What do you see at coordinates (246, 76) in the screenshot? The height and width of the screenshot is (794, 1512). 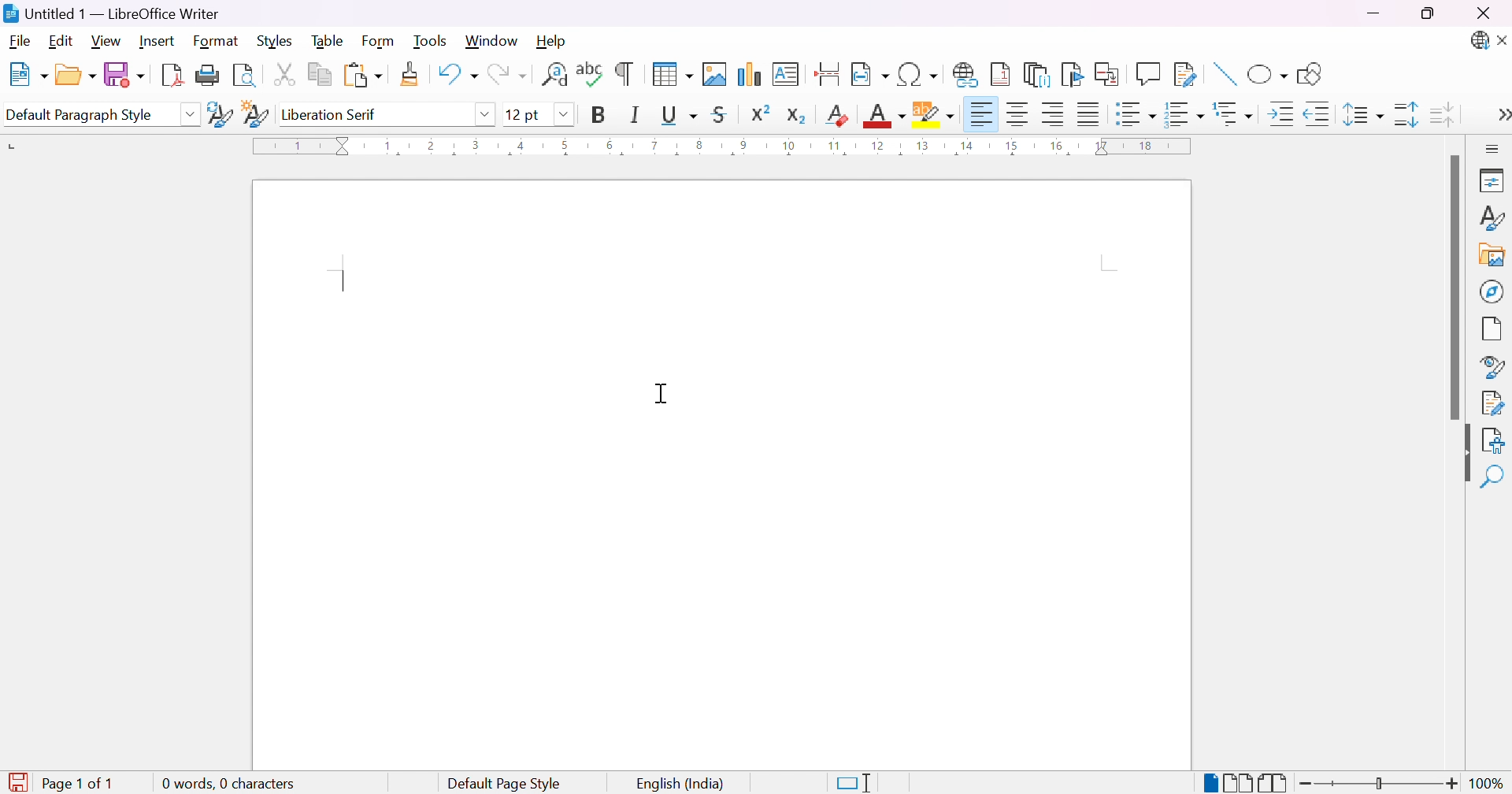 I see `Toggle print preview` at bounding box center [246, 76].